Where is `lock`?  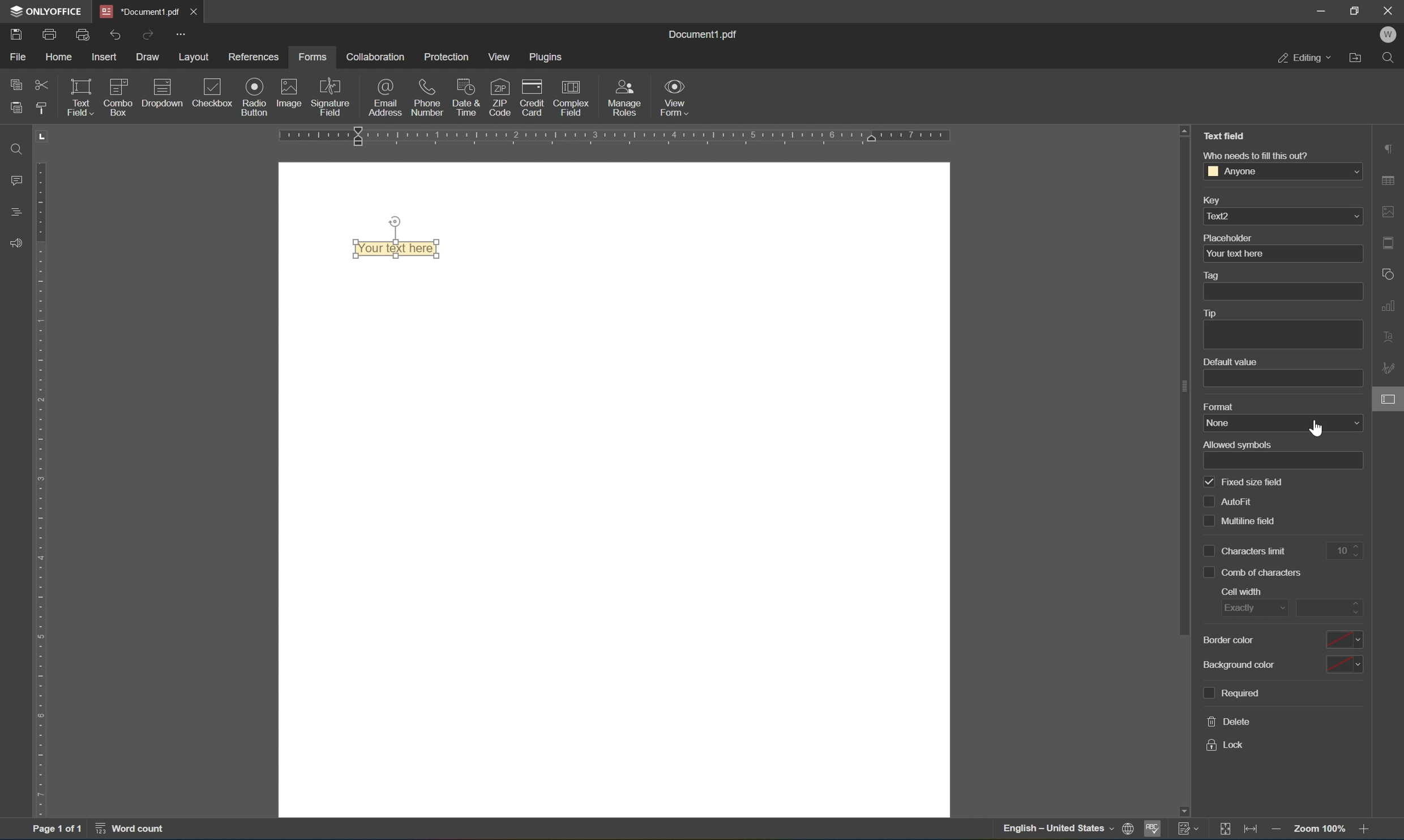 lock is located at coordinates (1223, 744).